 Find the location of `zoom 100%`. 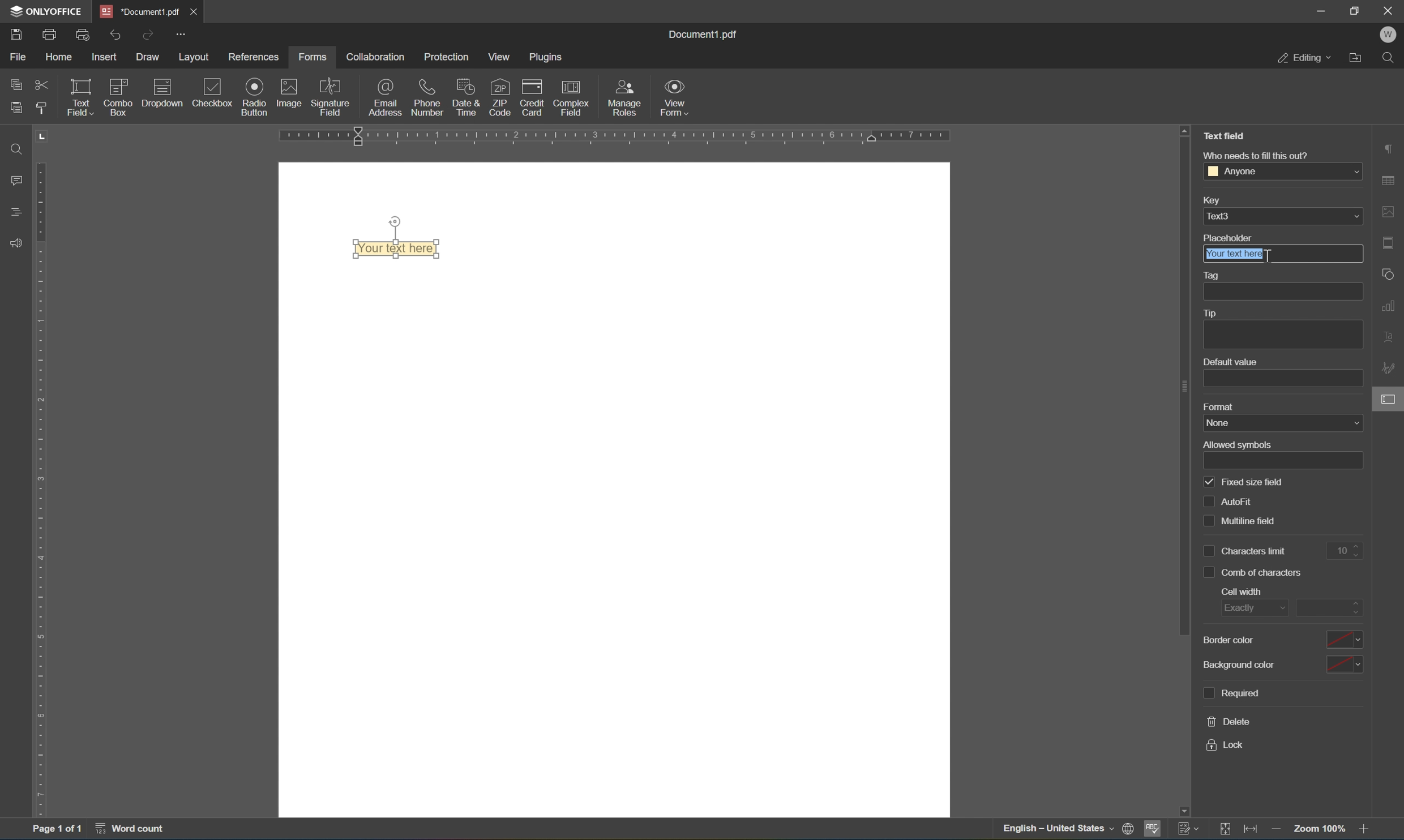

zoom 100% is located at coordinates (1320, 829).